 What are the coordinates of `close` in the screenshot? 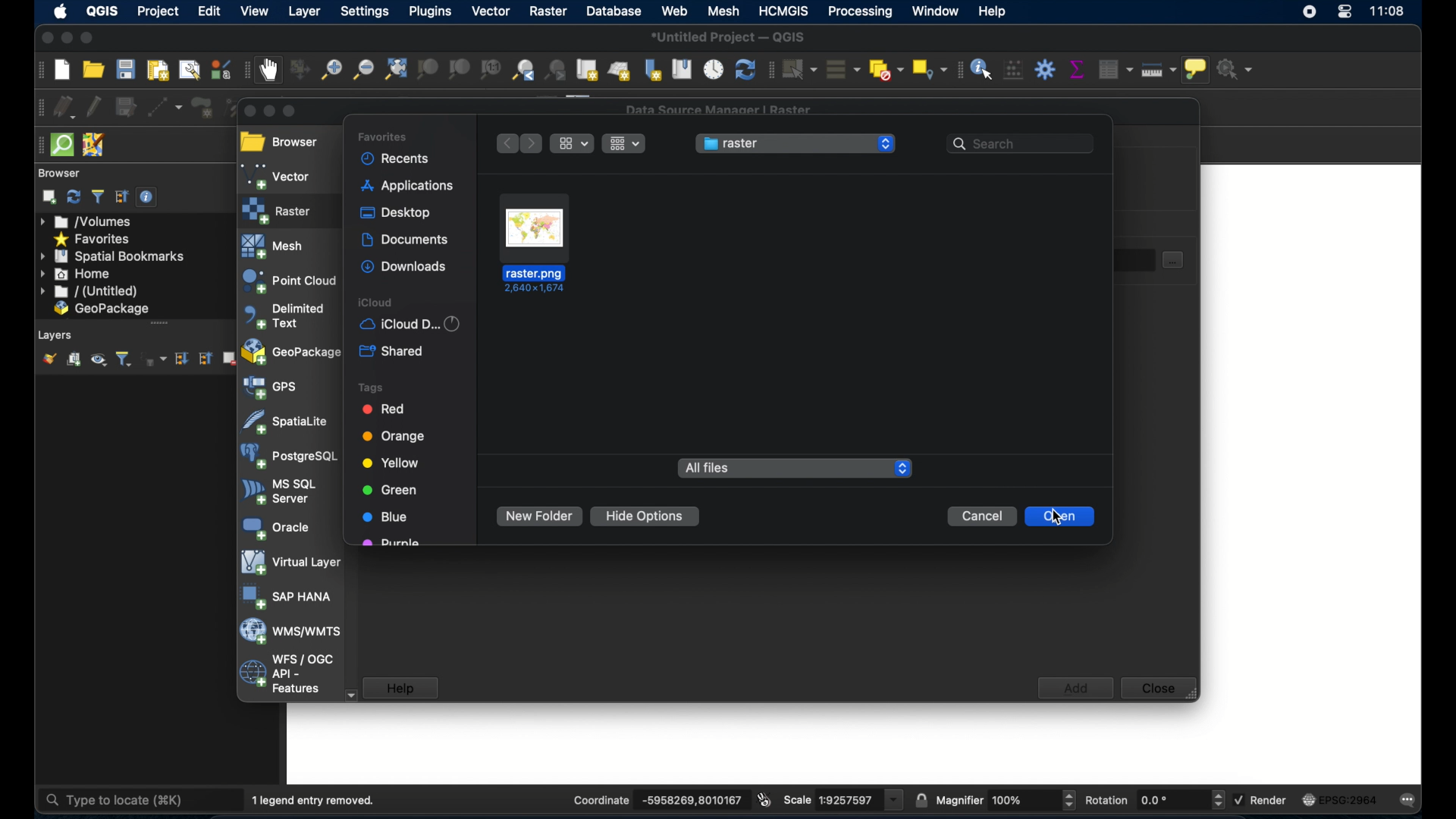 It's located at (247, 111).